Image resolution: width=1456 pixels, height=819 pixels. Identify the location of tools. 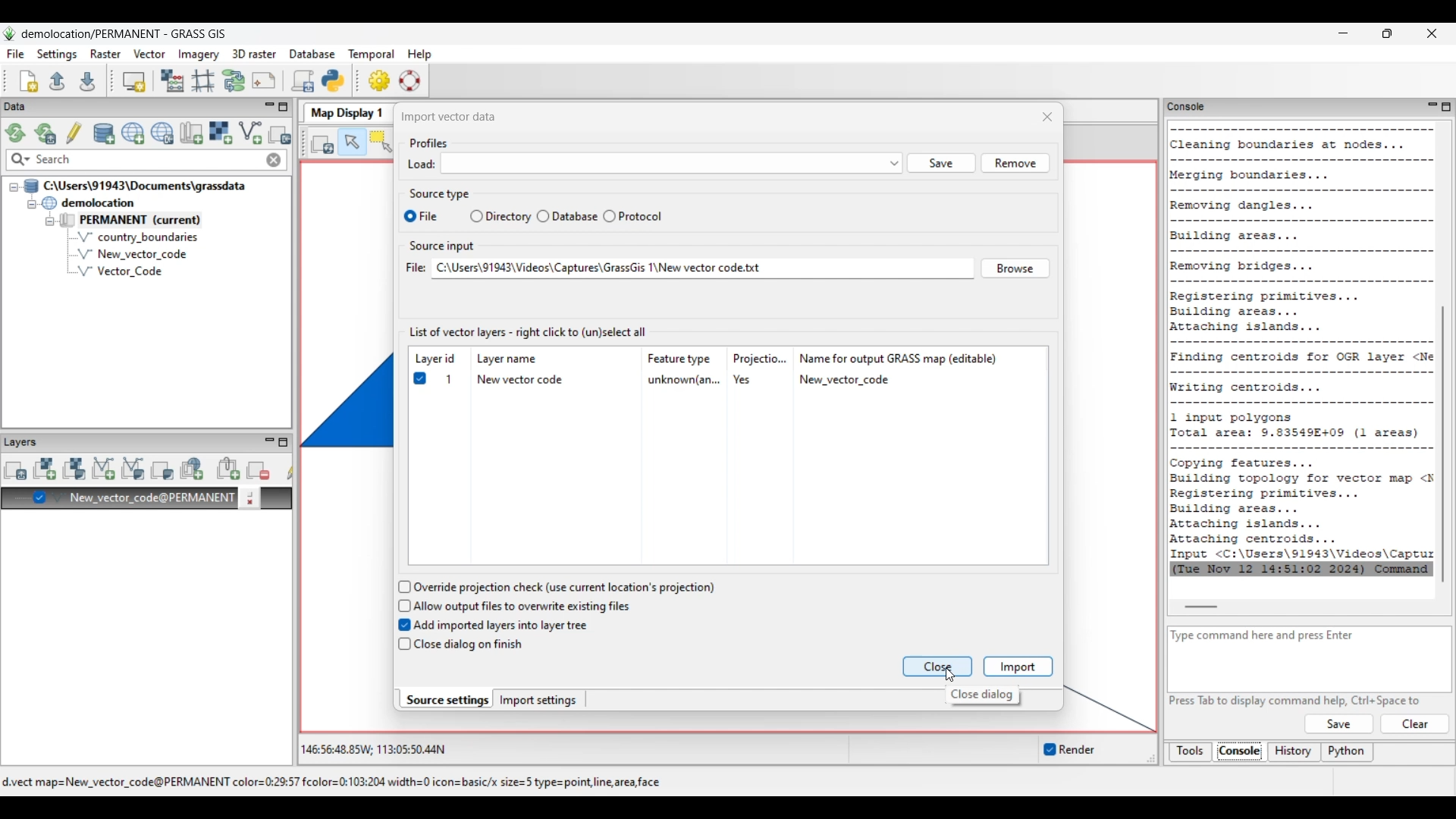
(1185, 105).